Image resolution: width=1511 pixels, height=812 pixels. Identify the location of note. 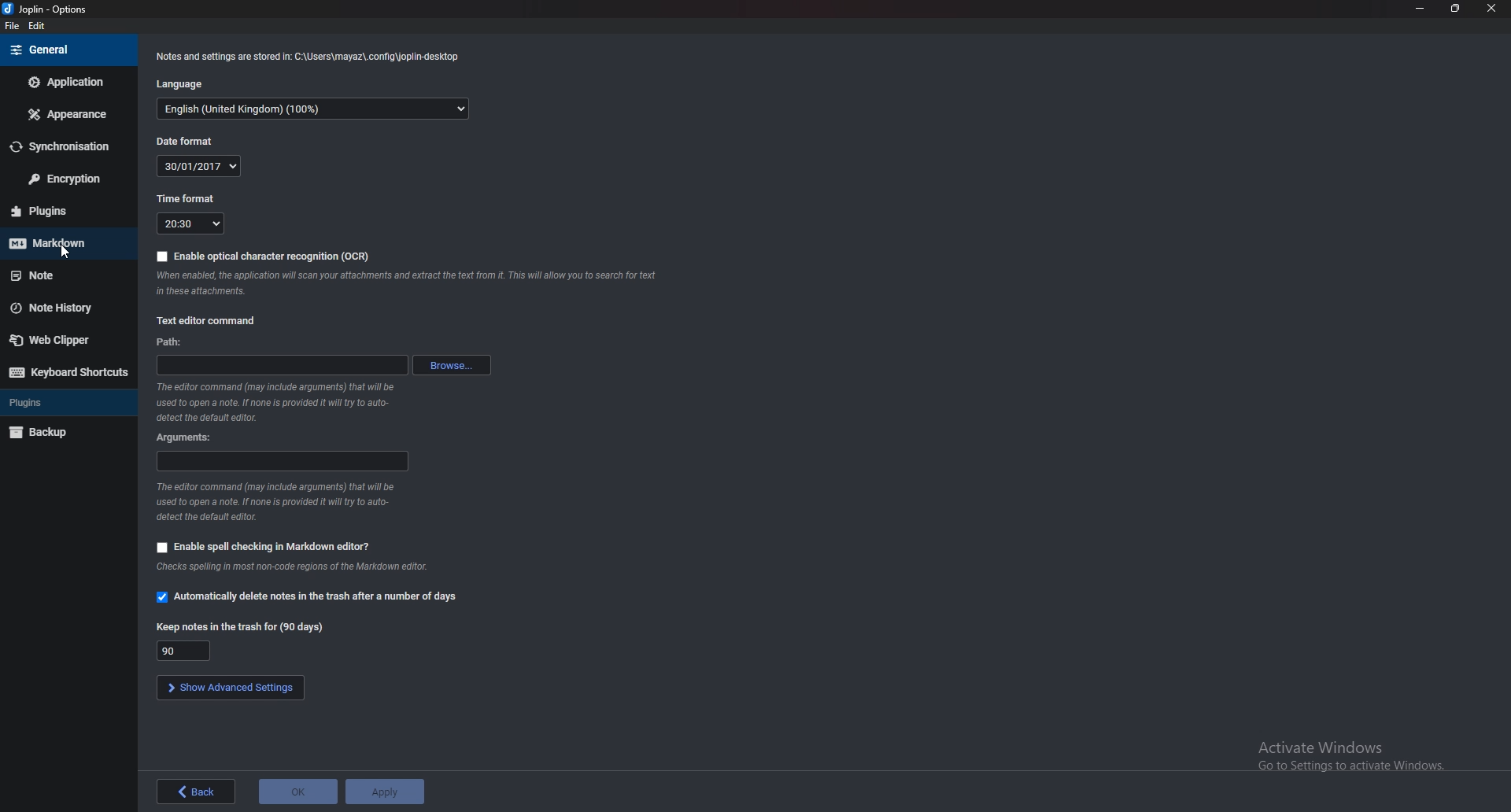
(63, 275).